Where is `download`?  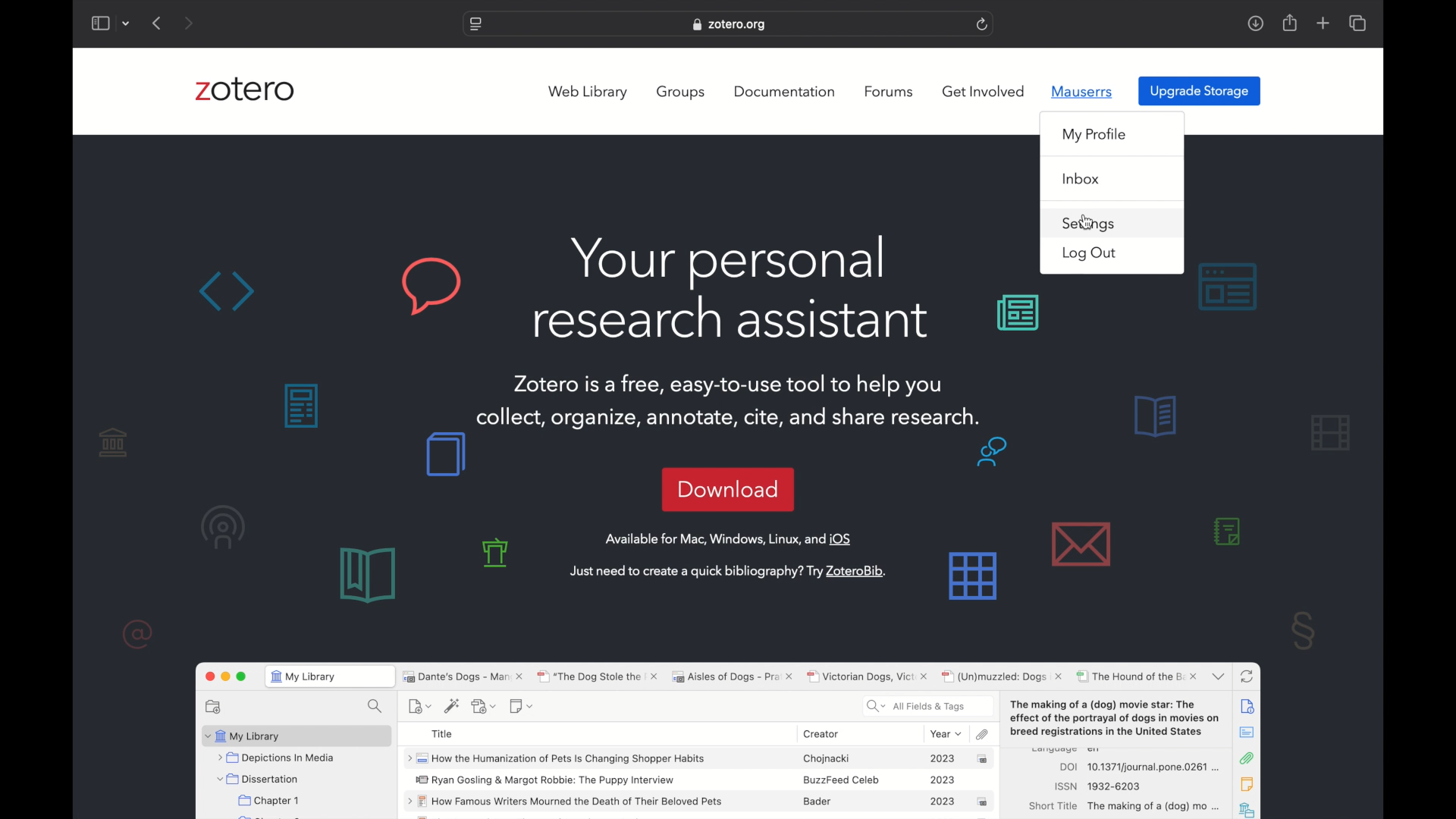 download is located at coordinates (1256, 24).